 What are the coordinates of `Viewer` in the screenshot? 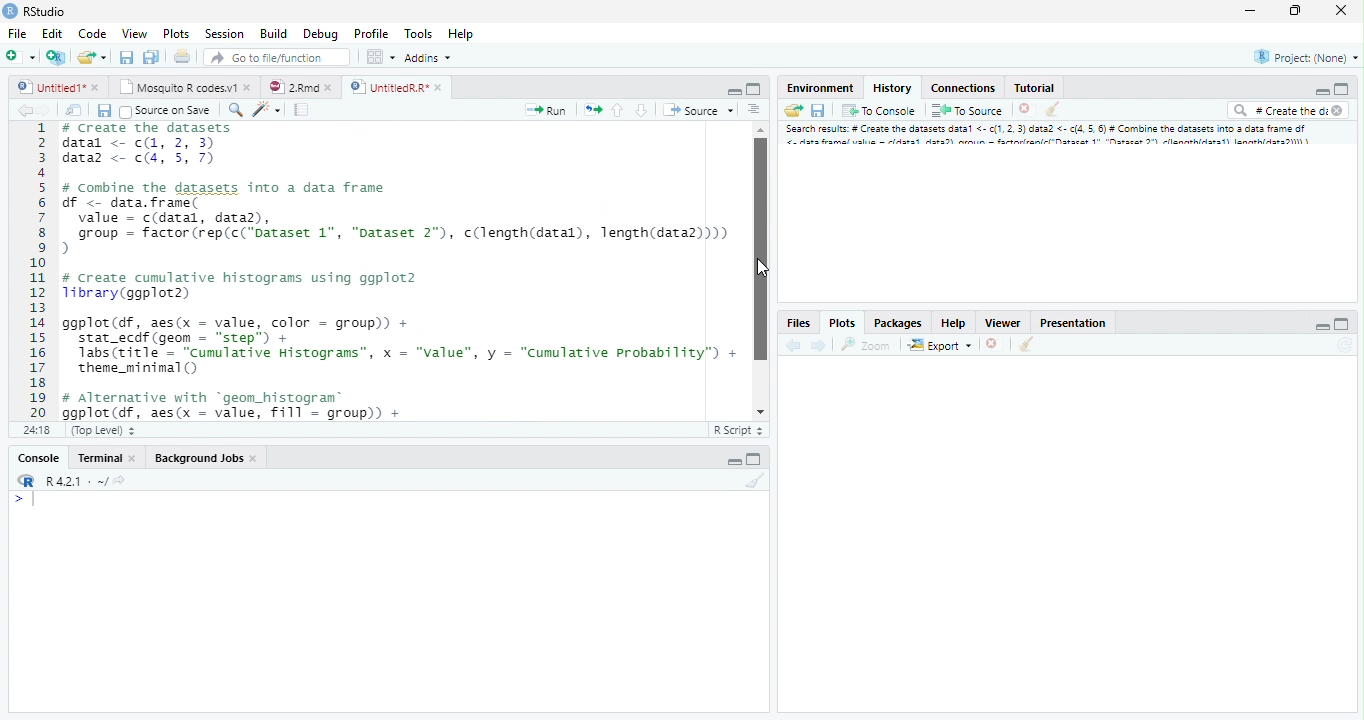 It's located at (1002, 323).